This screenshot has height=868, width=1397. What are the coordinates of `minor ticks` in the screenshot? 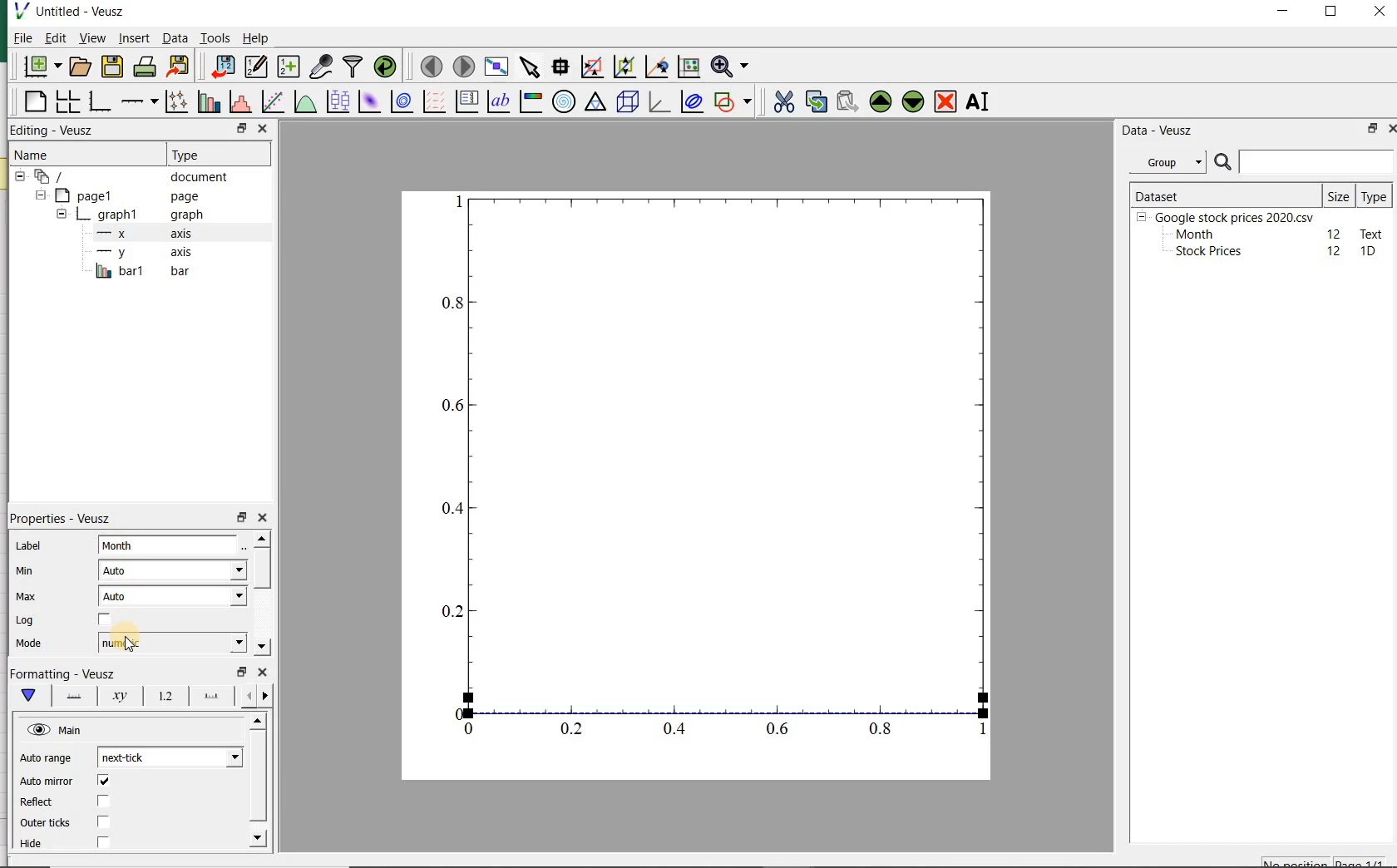 It's located at (255, 697).